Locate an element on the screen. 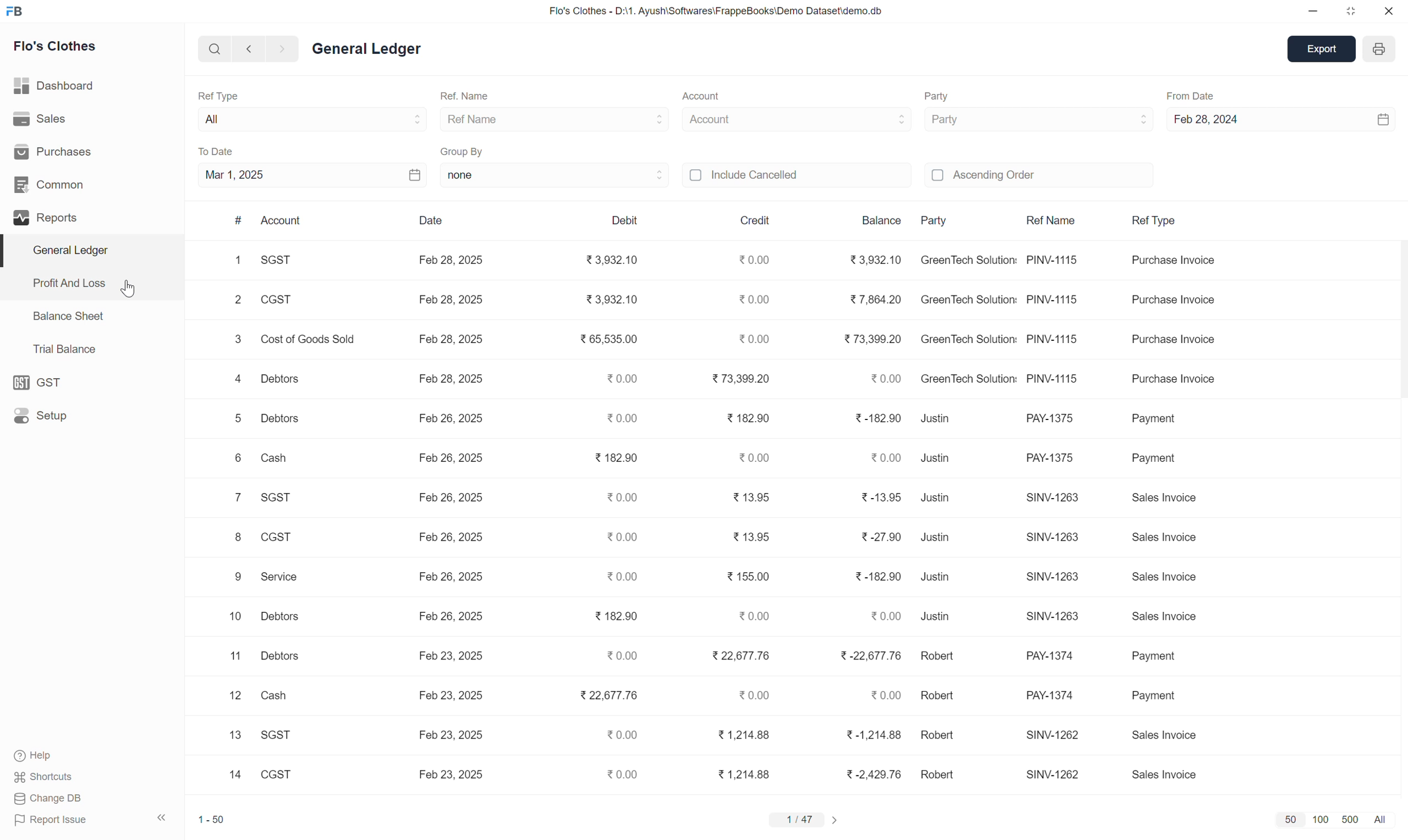  3 is located at coordinates (235, 341).